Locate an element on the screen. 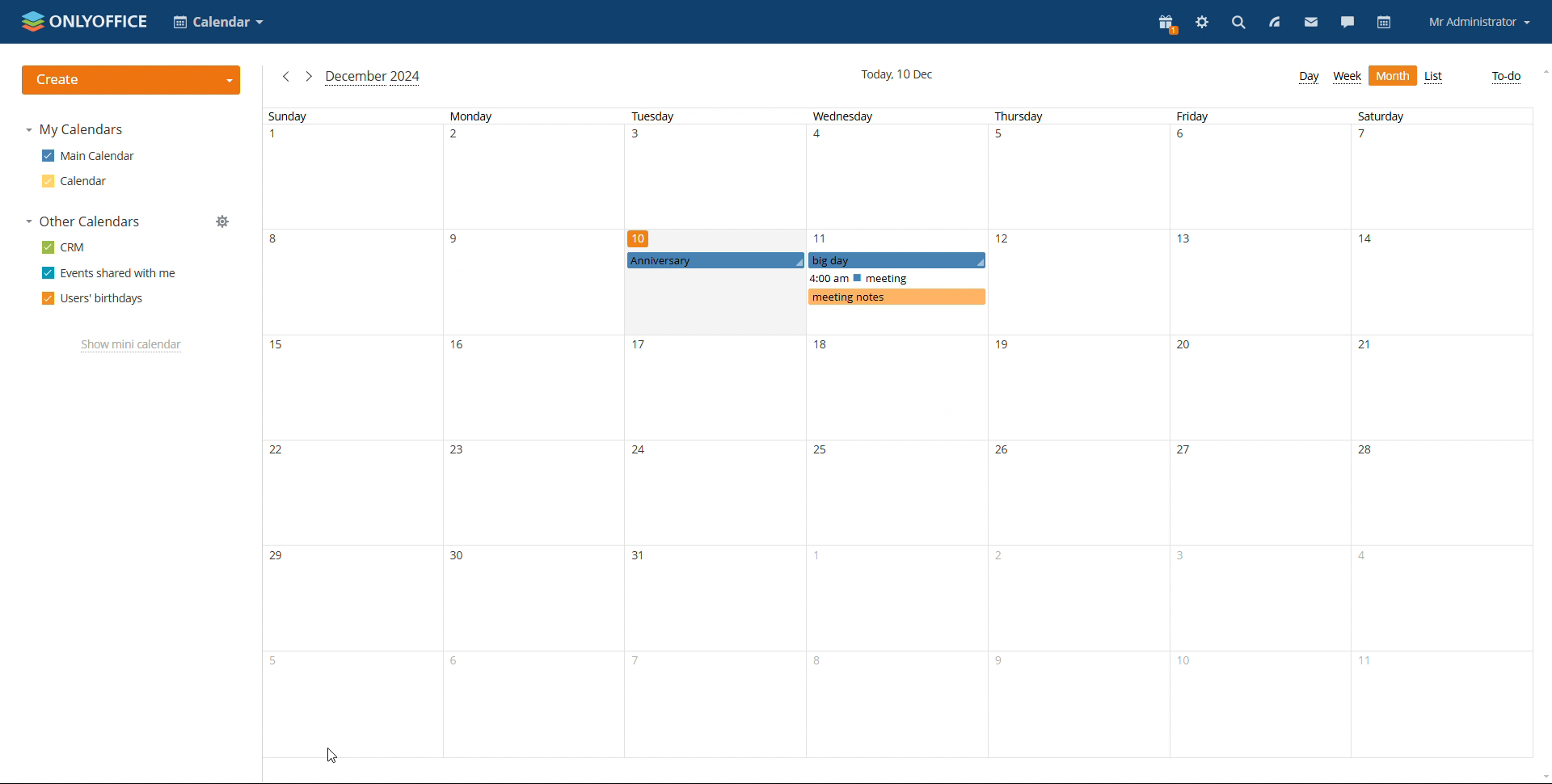 This screenshot has width=1552, height=784. account is located at coordinates (1479, 21).